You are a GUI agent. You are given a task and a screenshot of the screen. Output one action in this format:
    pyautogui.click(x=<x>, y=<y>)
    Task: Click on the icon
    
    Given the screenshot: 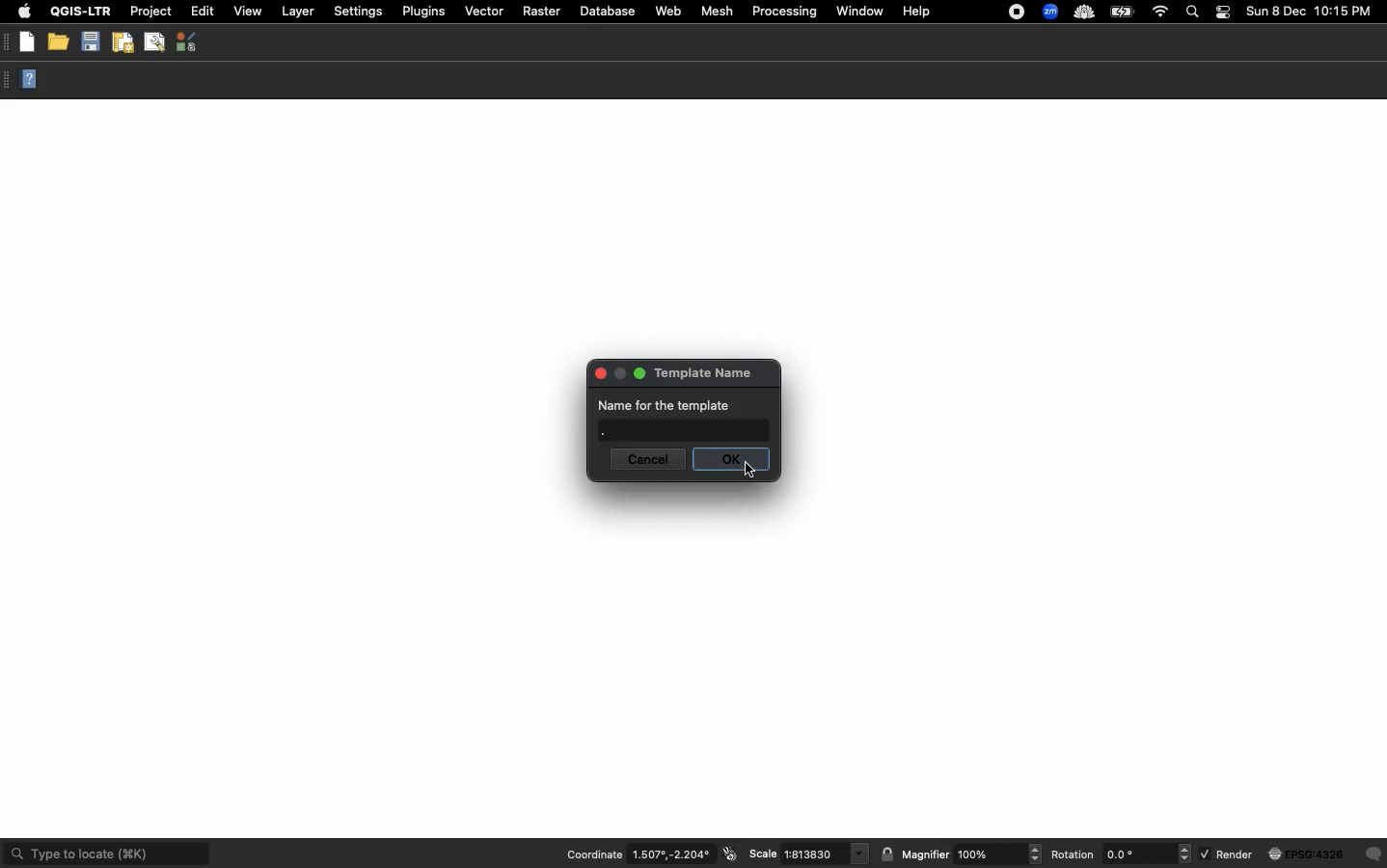 What is the action you would take?
    pyautogui.click(x=729, y=854)
    